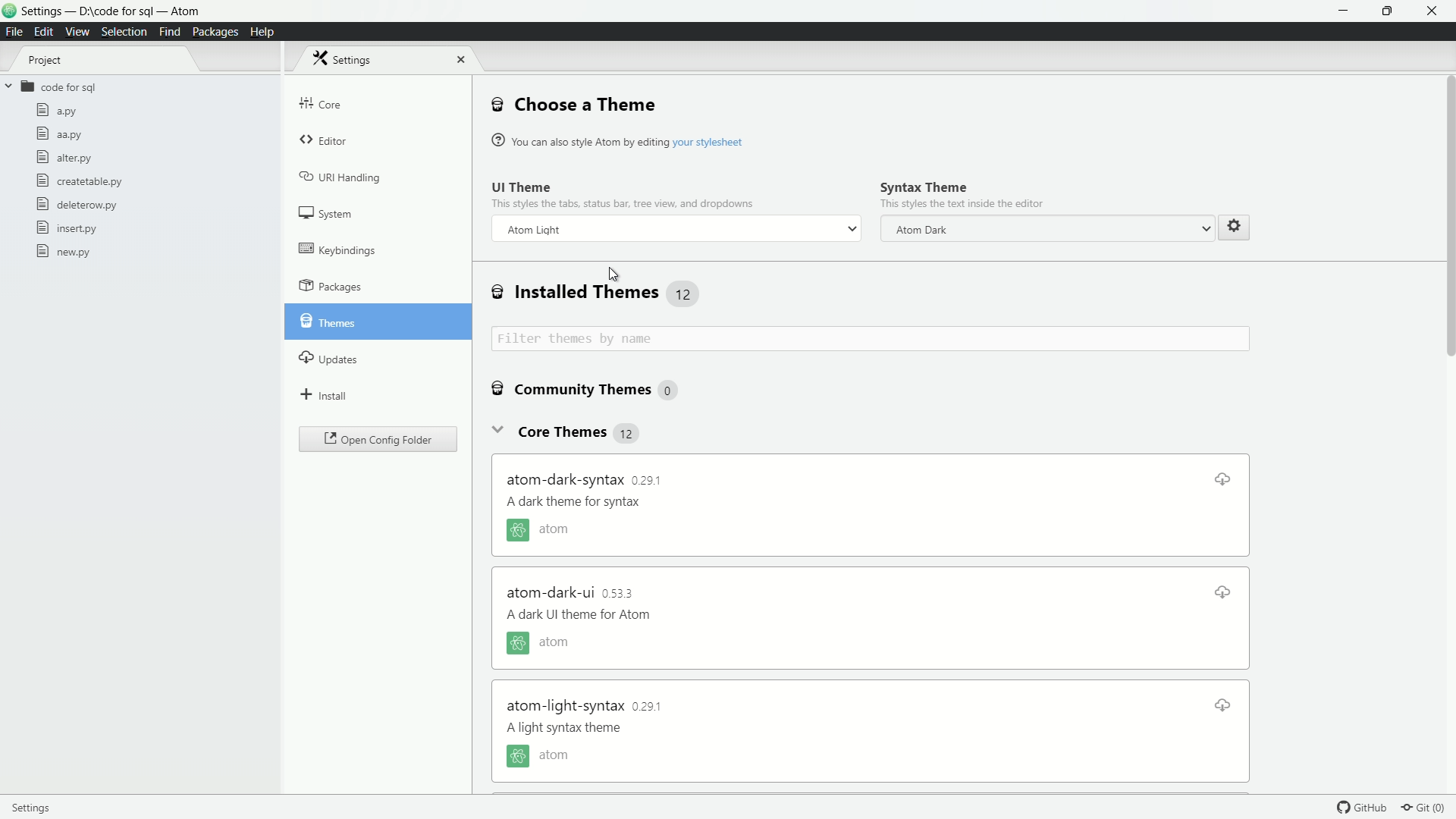  What do you see at coordinates (78, 182) in the screenshot?
I see `createtable.py file` at bounding box center [78, 182].